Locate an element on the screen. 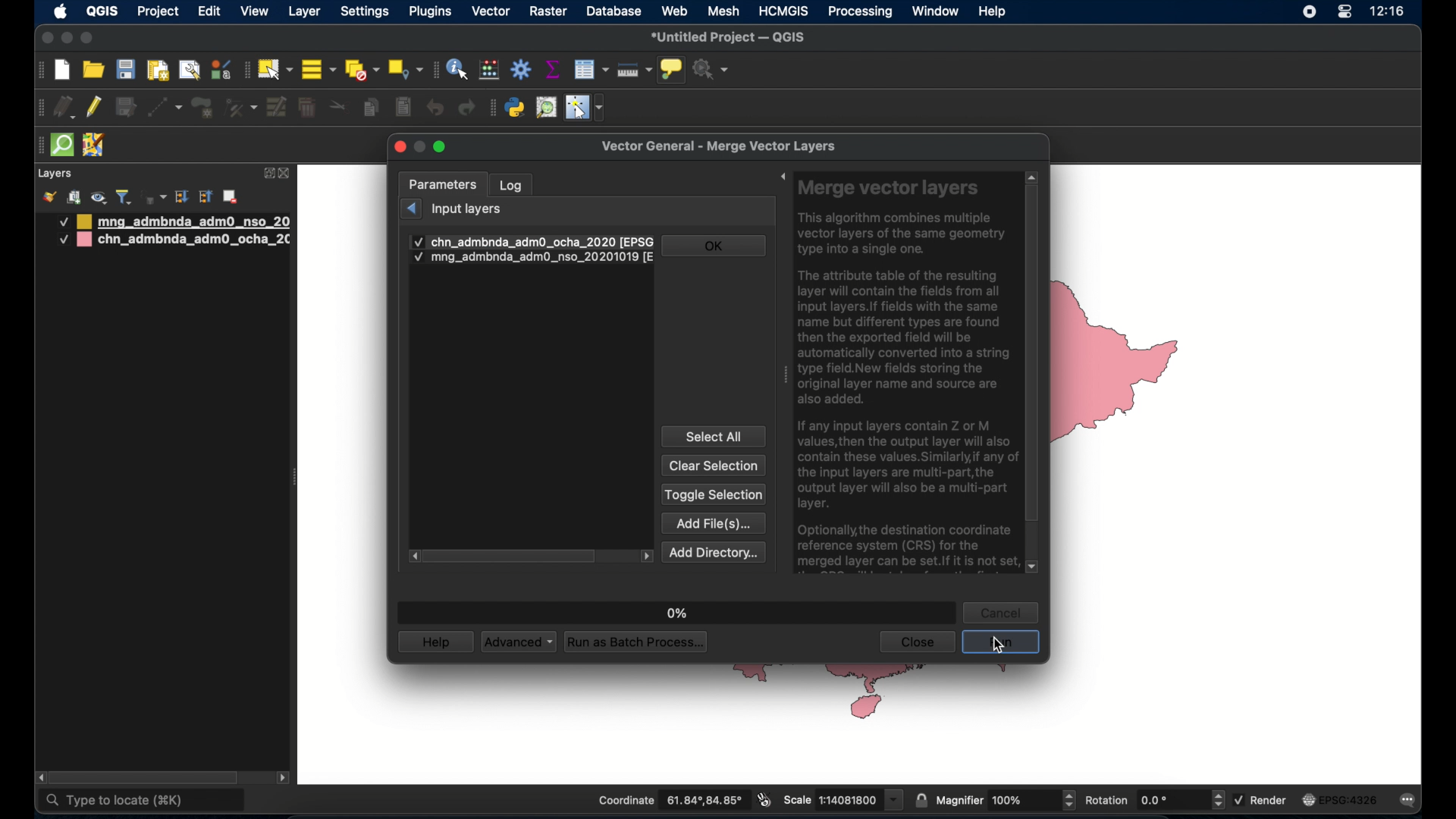 This screenshot has width=1456, height=819. rotation is located at coordinates (1153, 801).